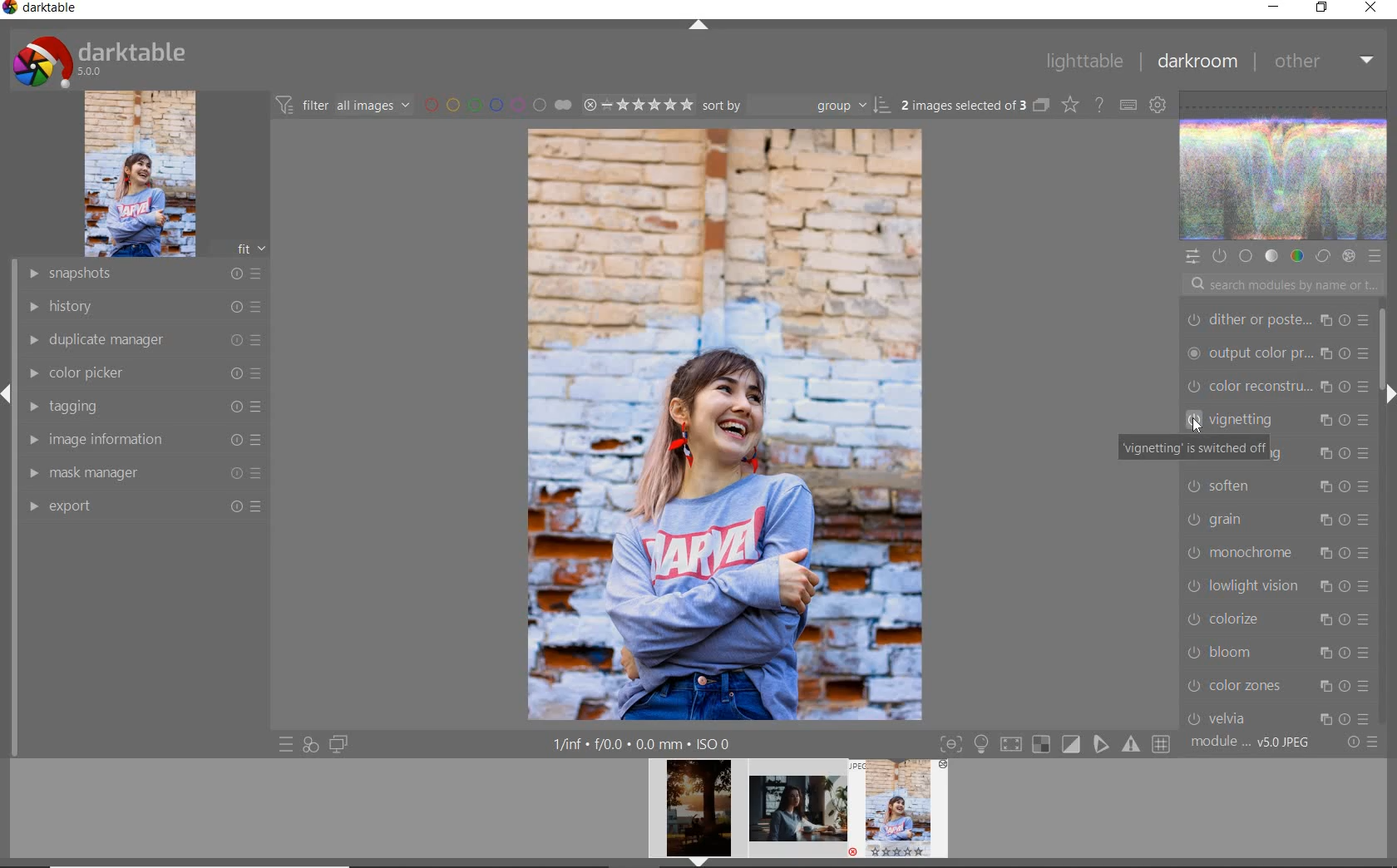  I want to click on correct, so click(1323, 257).